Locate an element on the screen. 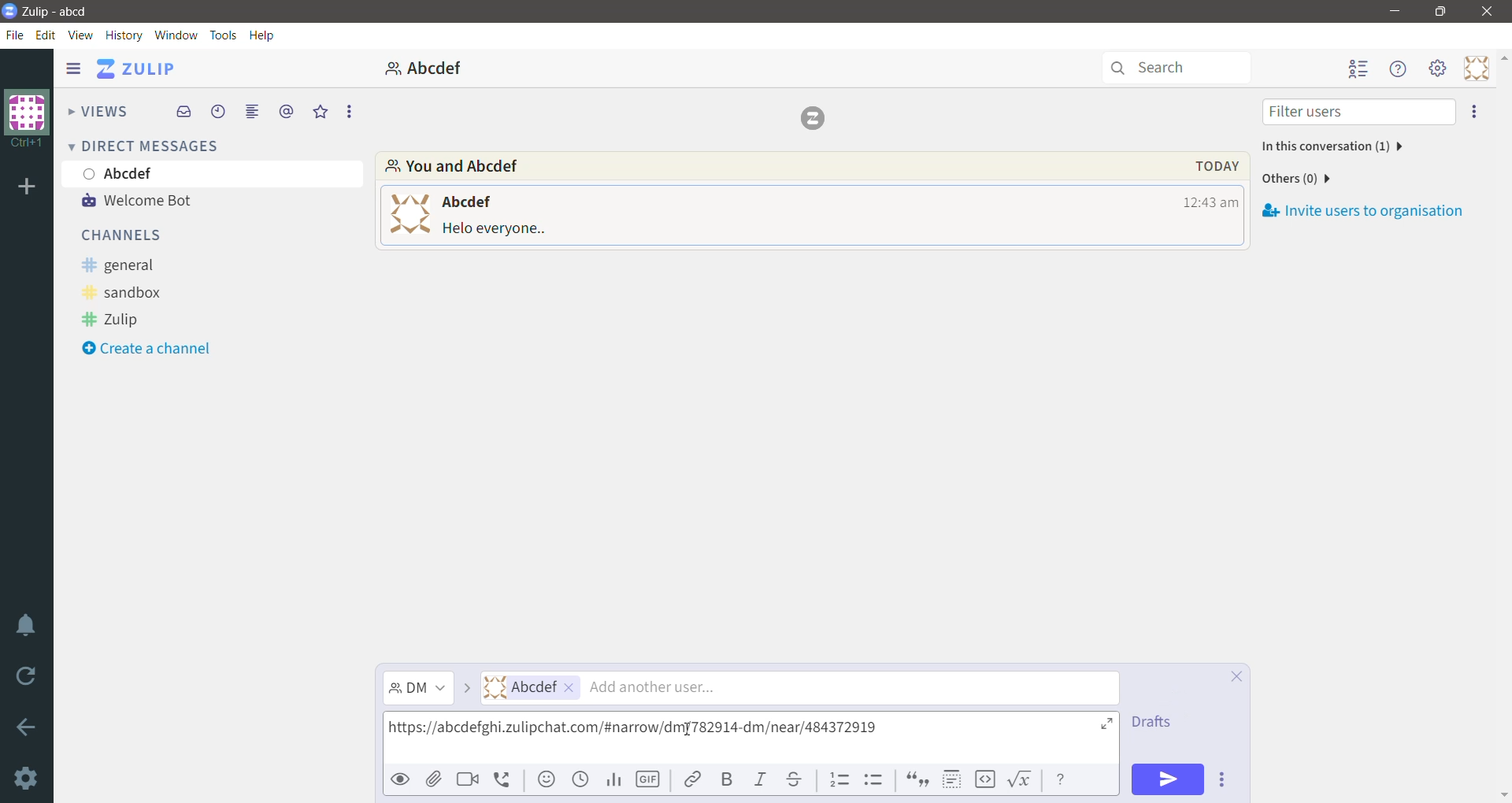 The width and height of the screenshot is (1512, 803). message is located at coordinates (496, 230).